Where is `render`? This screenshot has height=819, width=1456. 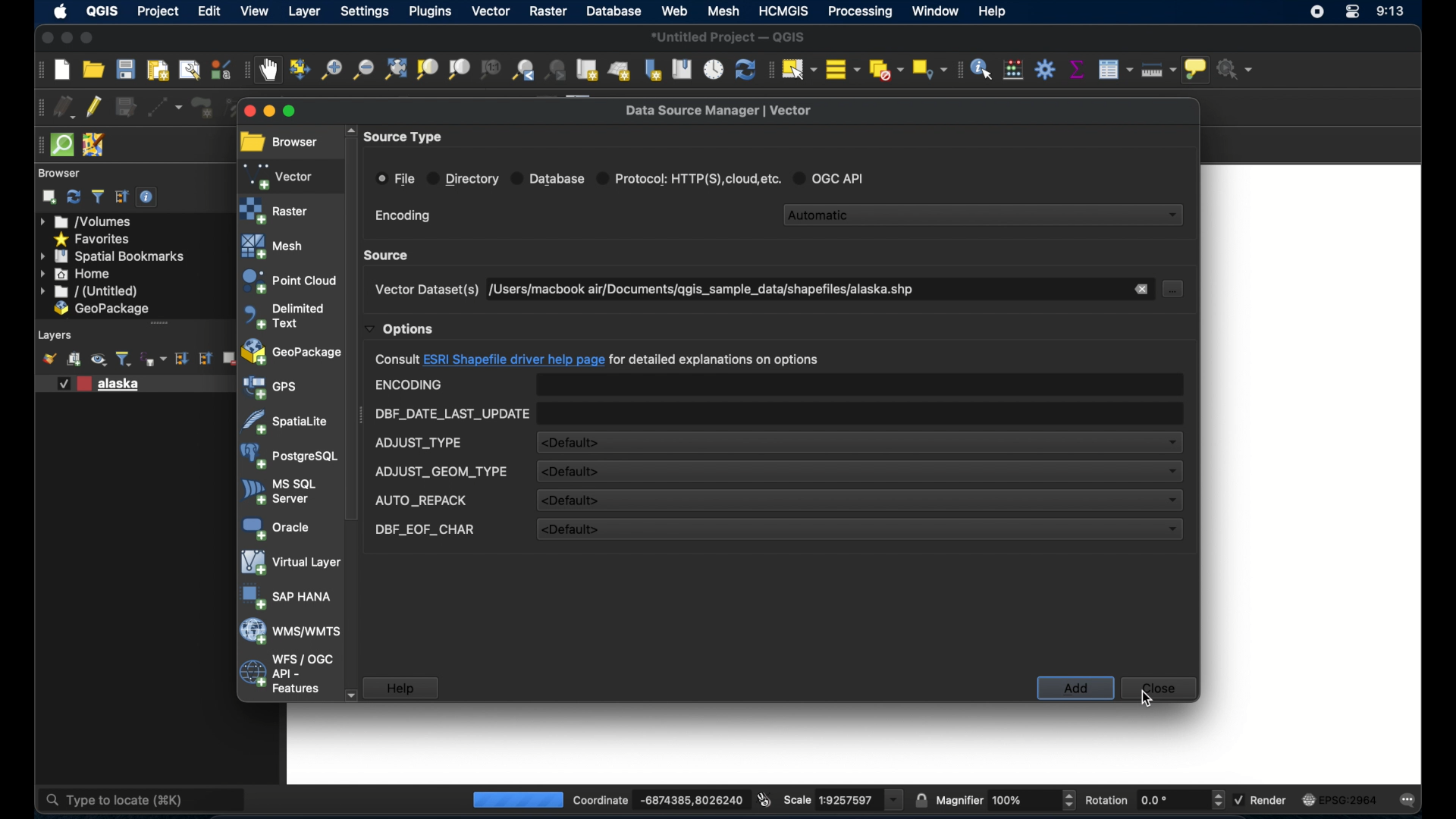 render is located at coordinates (1261, 799).